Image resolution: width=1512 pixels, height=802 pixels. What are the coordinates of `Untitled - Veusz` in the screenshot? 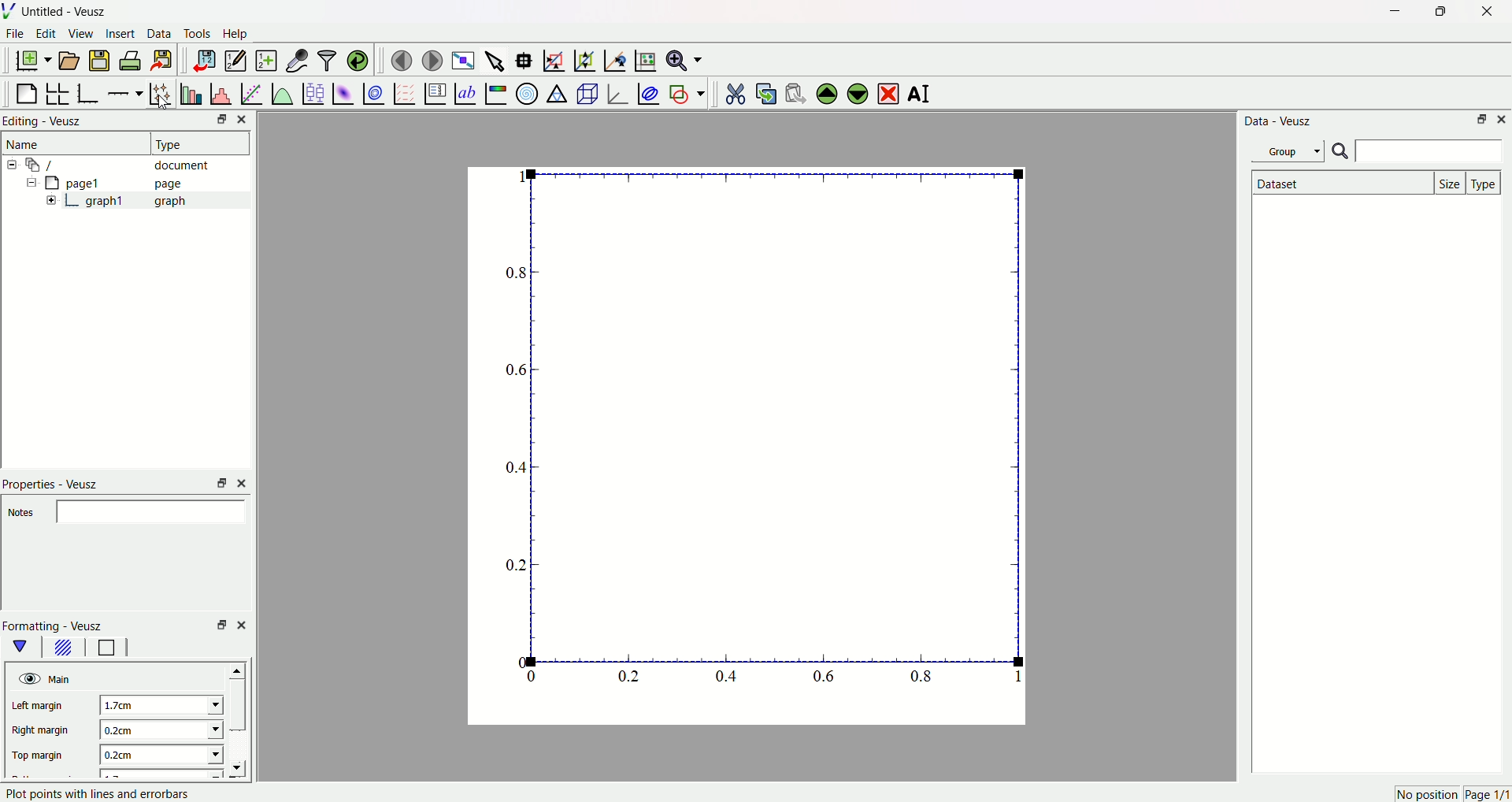 It's located at (67, 13).